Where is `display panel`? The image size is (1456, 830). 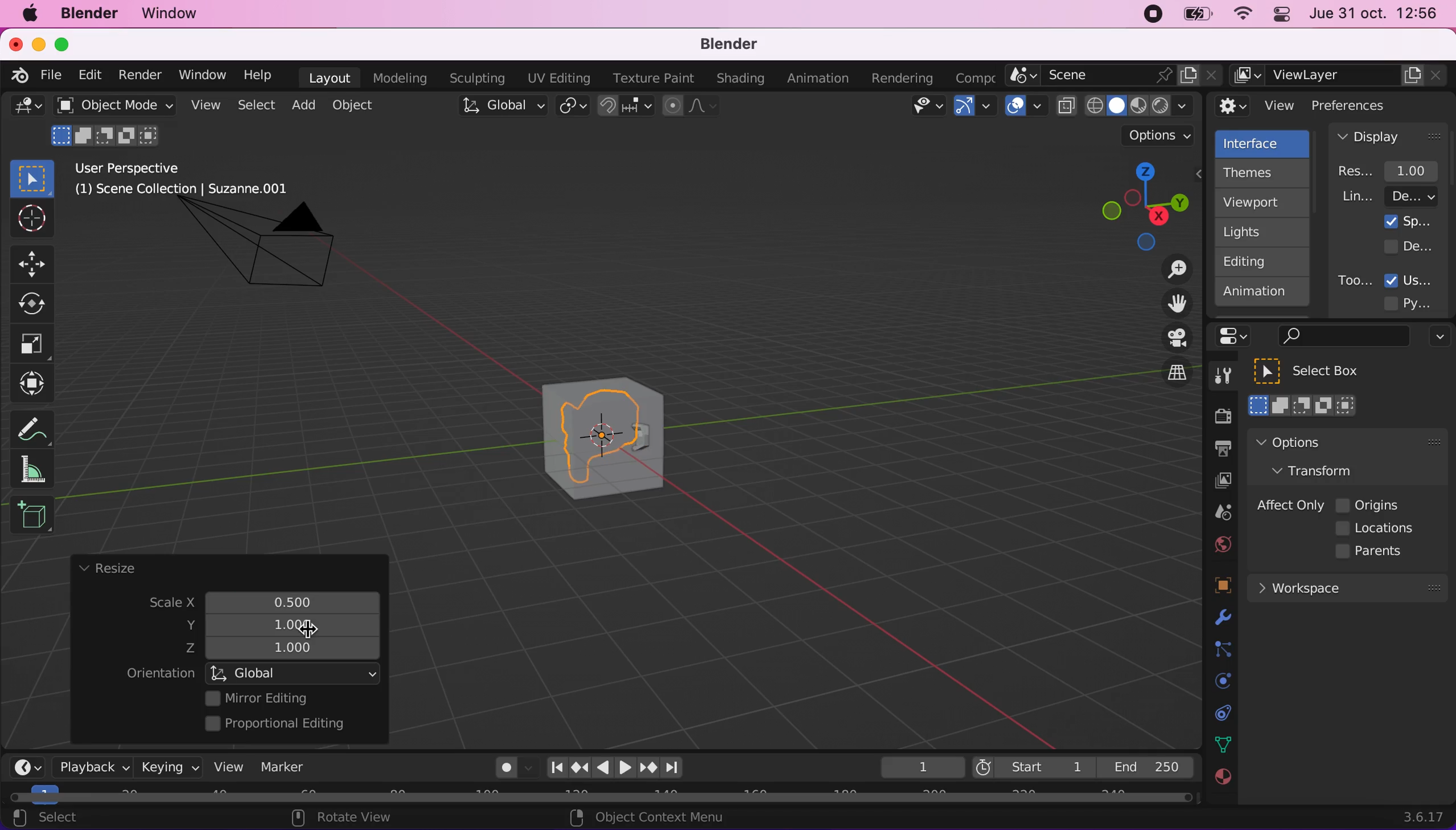 display panel is located at coordinates (1389, 136).